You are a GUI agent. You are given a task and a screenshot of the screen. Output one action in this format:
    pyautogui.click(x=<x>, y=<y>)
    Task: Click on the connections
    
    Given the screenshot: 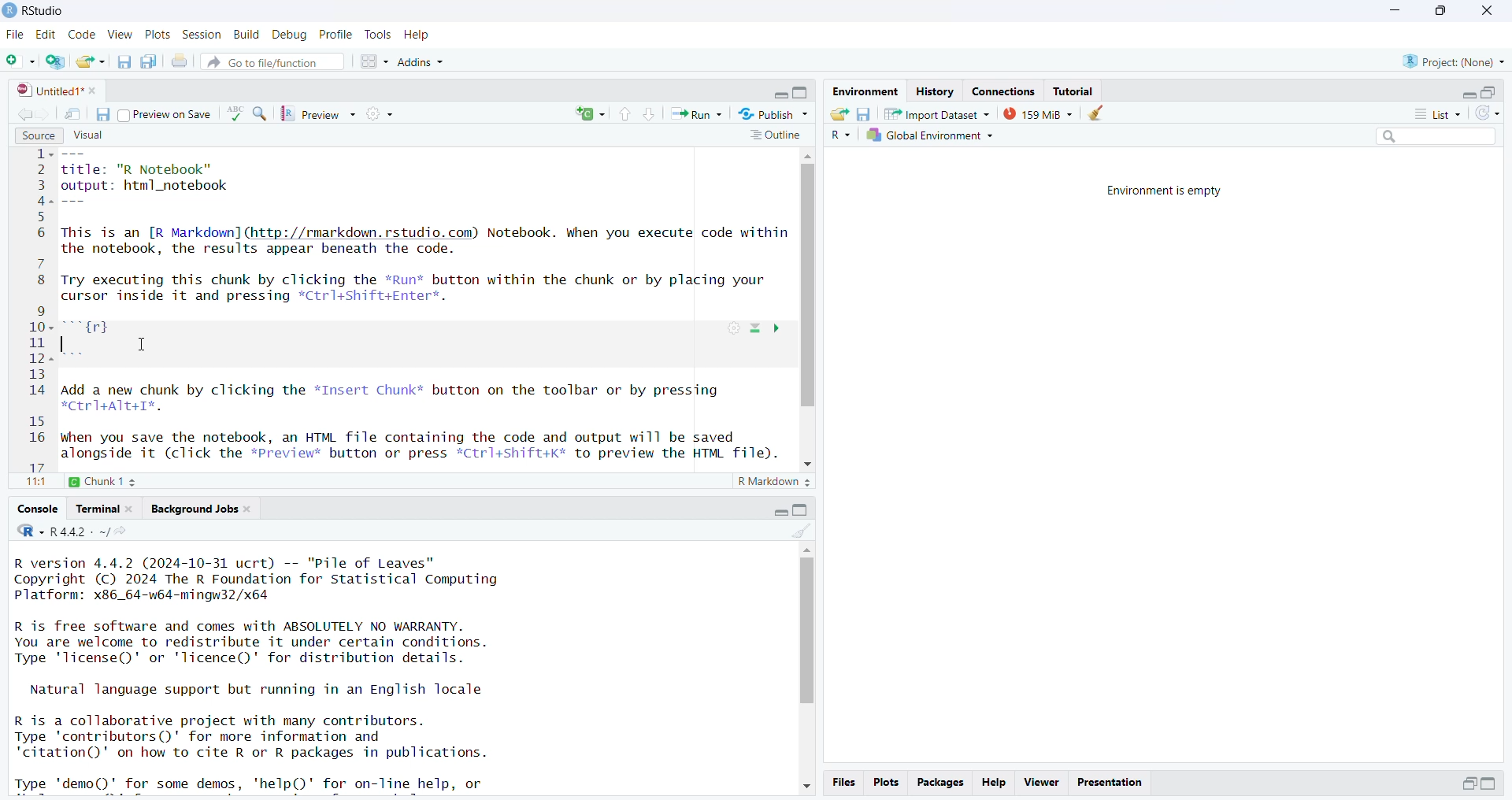 What is the action you would take?
    pyautogui.click(x=1008, y=91)
    